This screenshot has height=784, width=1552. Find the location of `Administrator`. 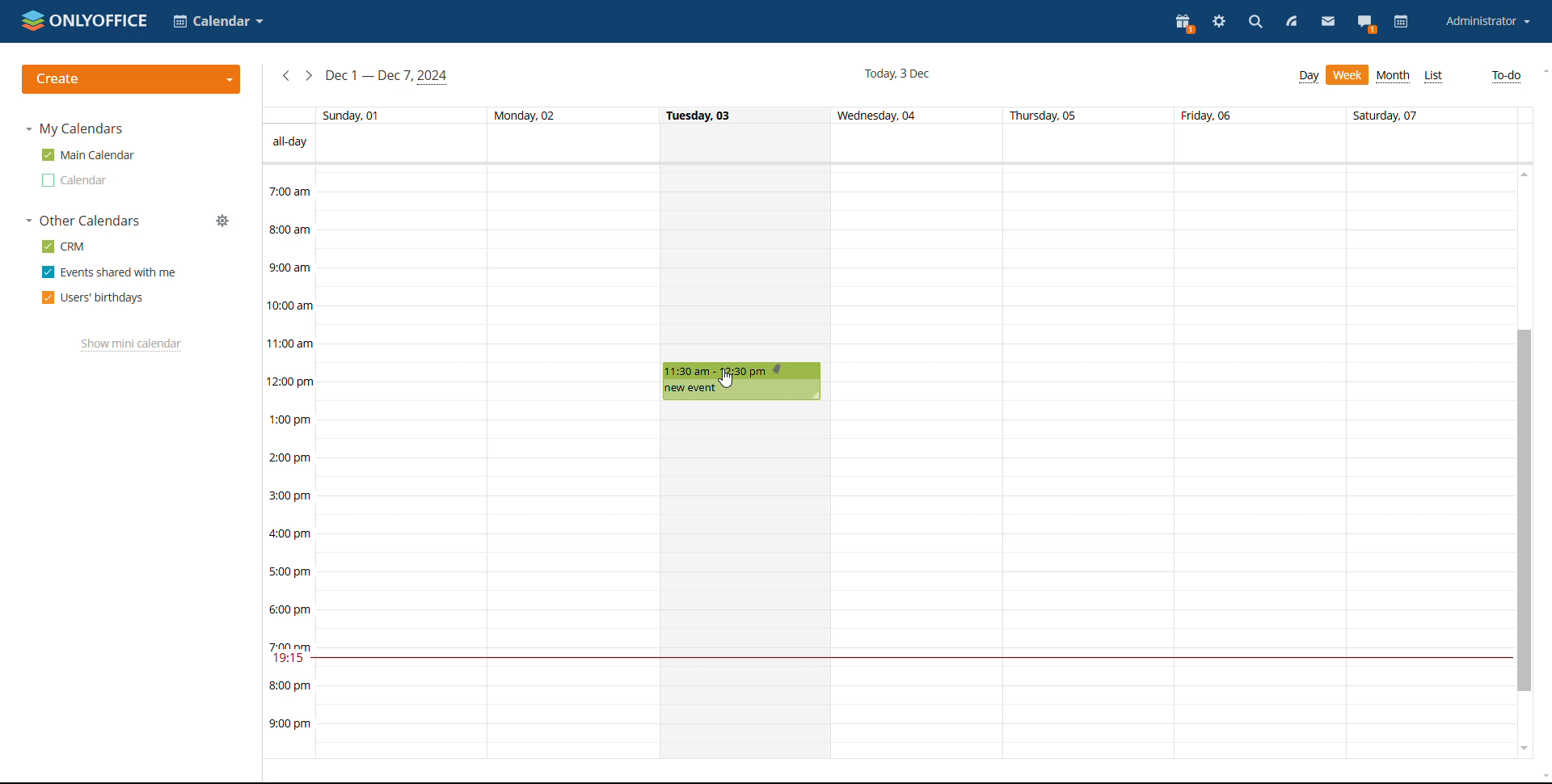

Administrator is located at coordinates (1487, 21).